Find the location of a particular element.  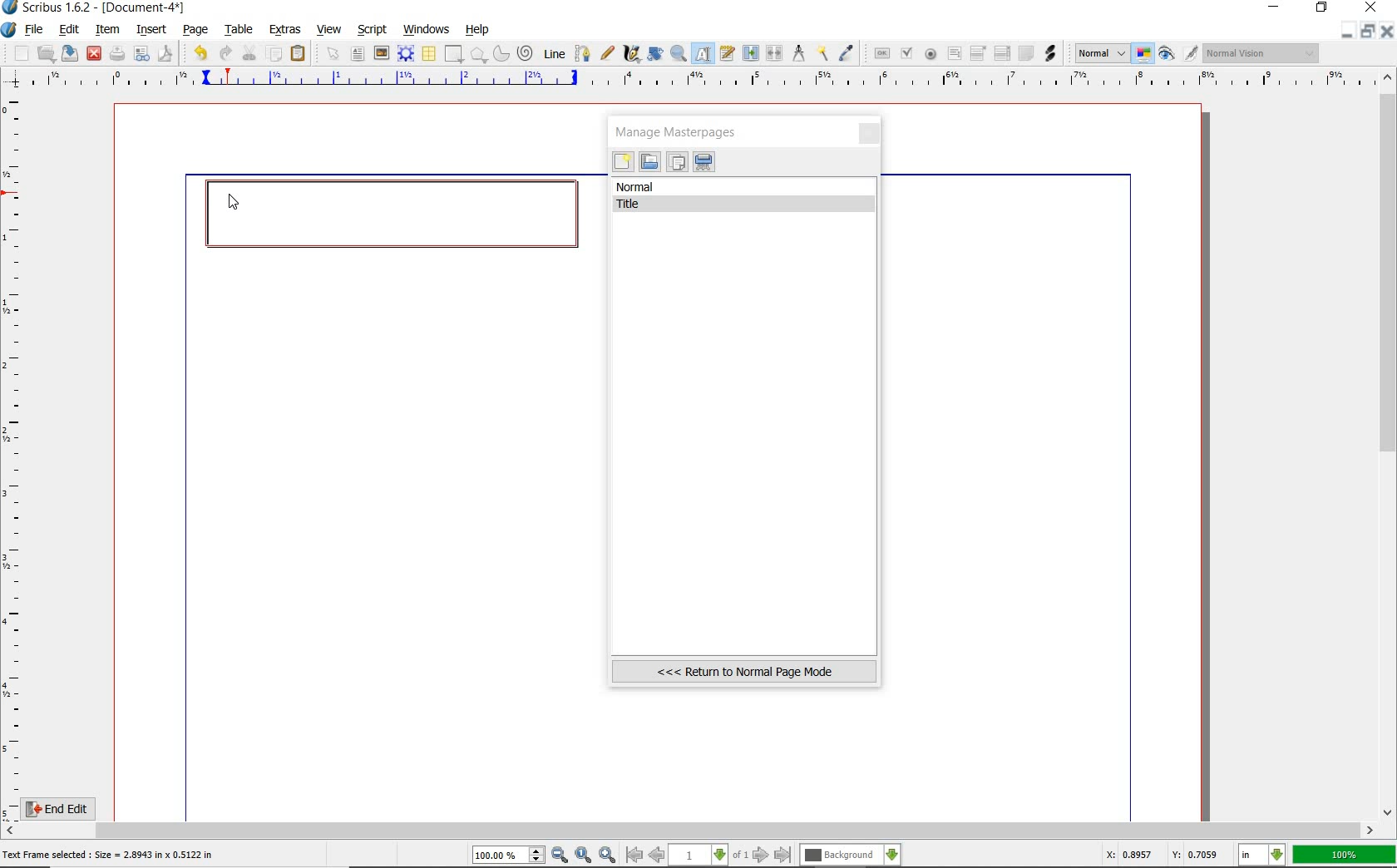

go to first page is located at coordinates (634, 856).